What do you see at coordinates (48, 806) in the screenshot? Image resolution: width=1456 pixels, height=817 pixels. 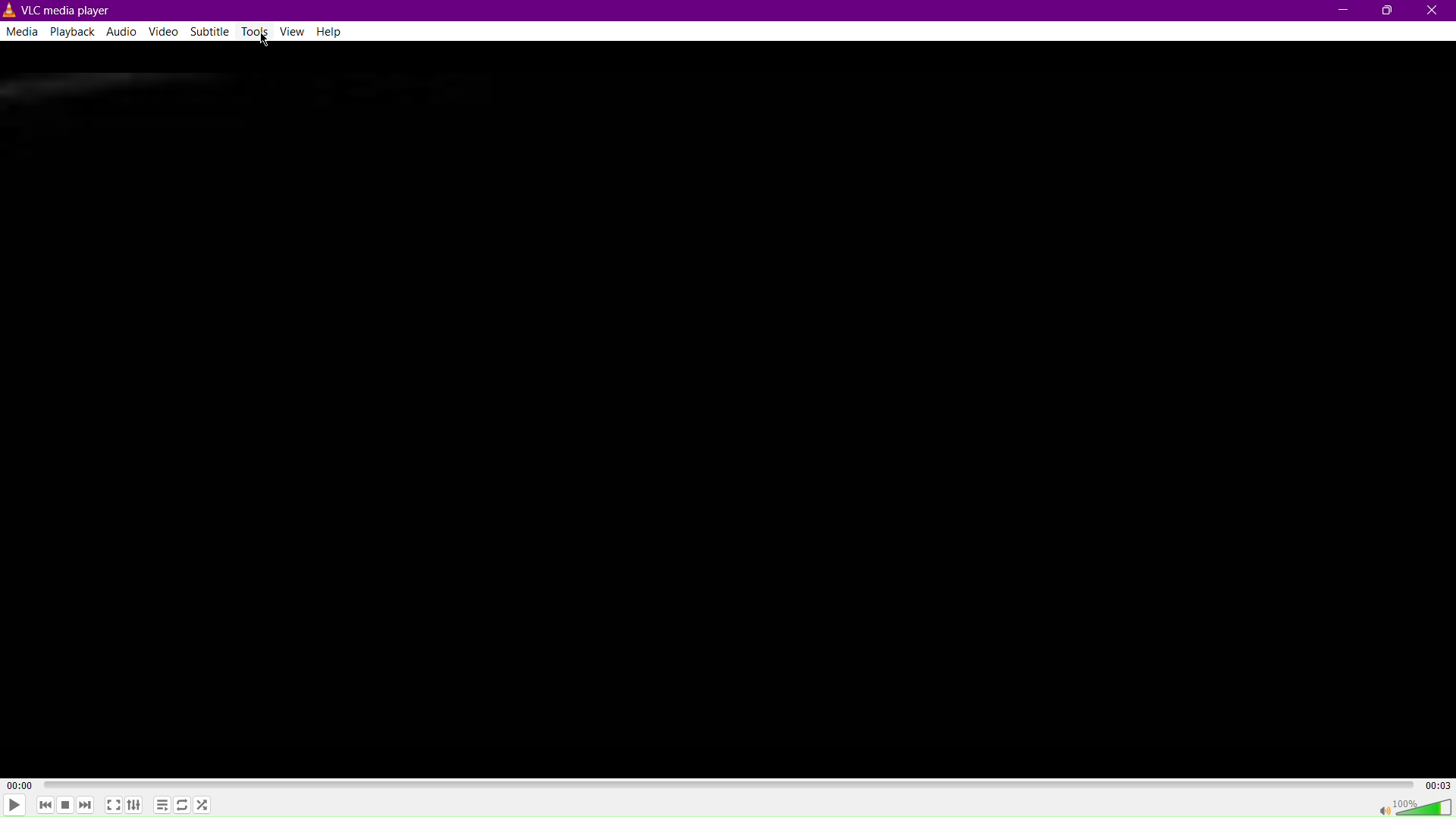 I see `skip back` at bounding box center [48, 806].